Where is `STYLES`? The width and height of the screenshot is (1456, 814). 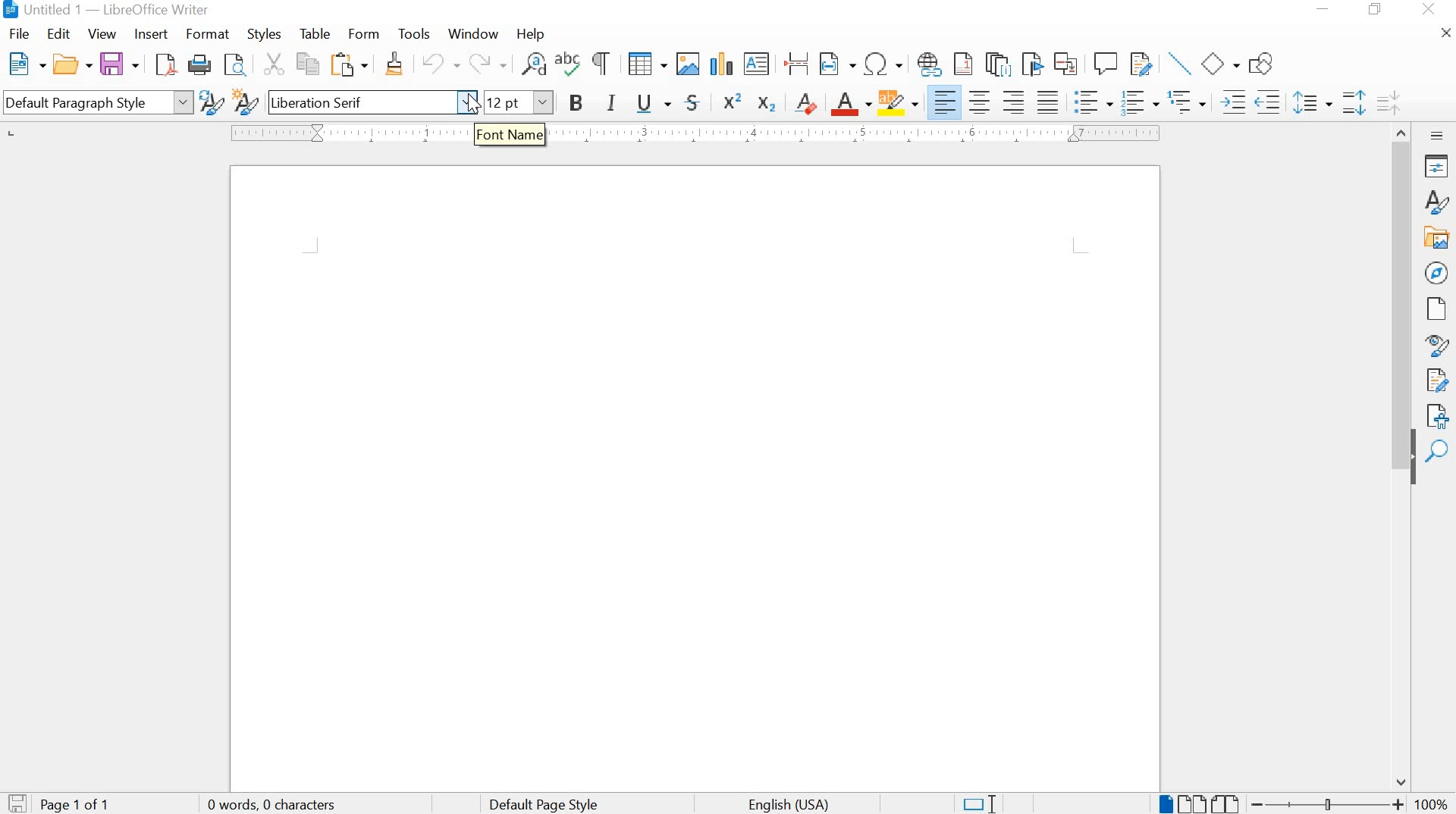
STYLES is located at coordinates (263, 36).